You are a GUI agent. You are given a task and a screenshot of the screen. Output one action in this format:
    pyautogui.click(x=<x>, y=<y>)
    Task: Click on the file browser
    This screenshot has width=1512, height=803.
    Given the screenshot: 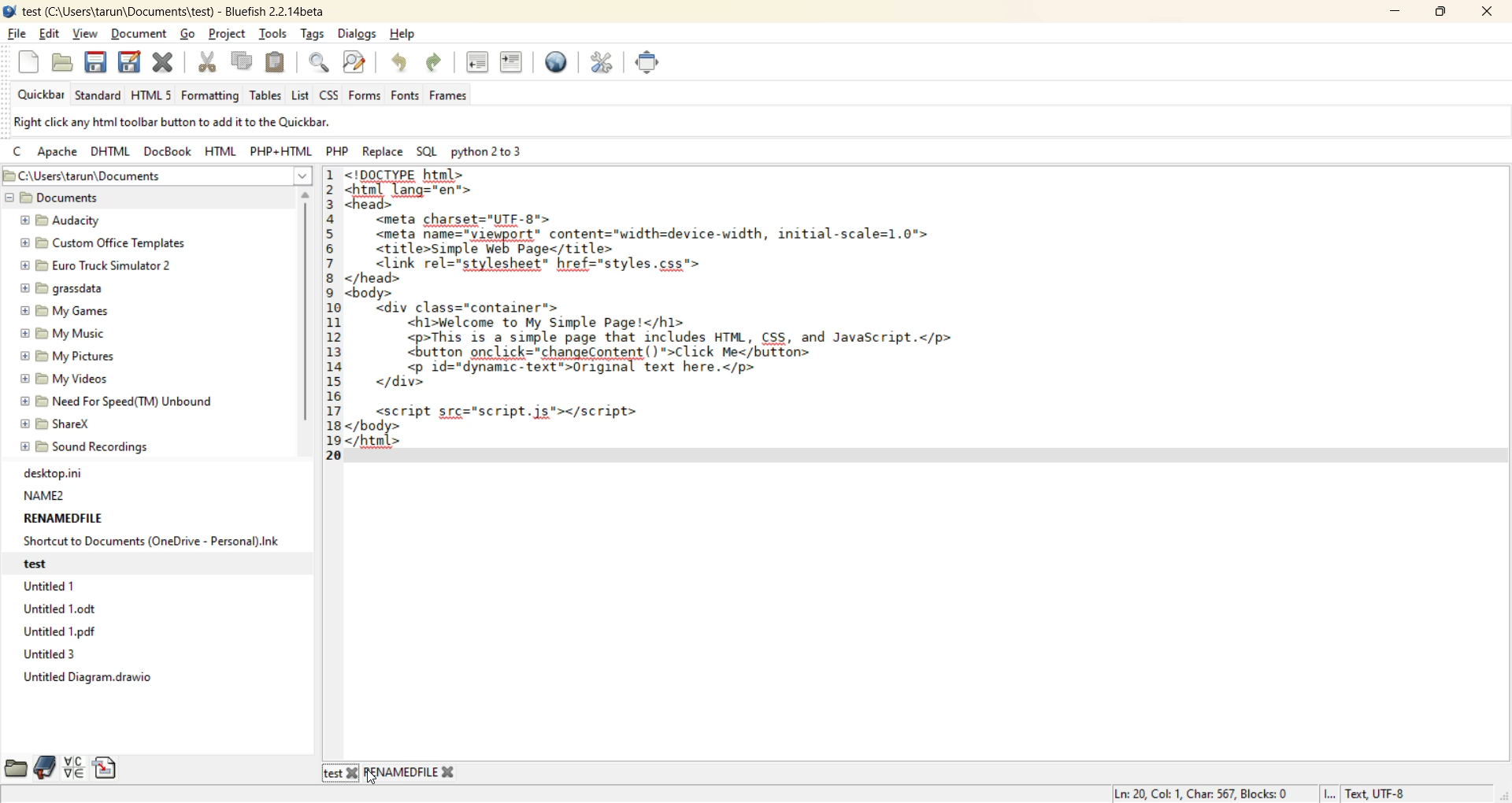 What is the action you would take?
    pyautogui.click(x=17, y=770)
    